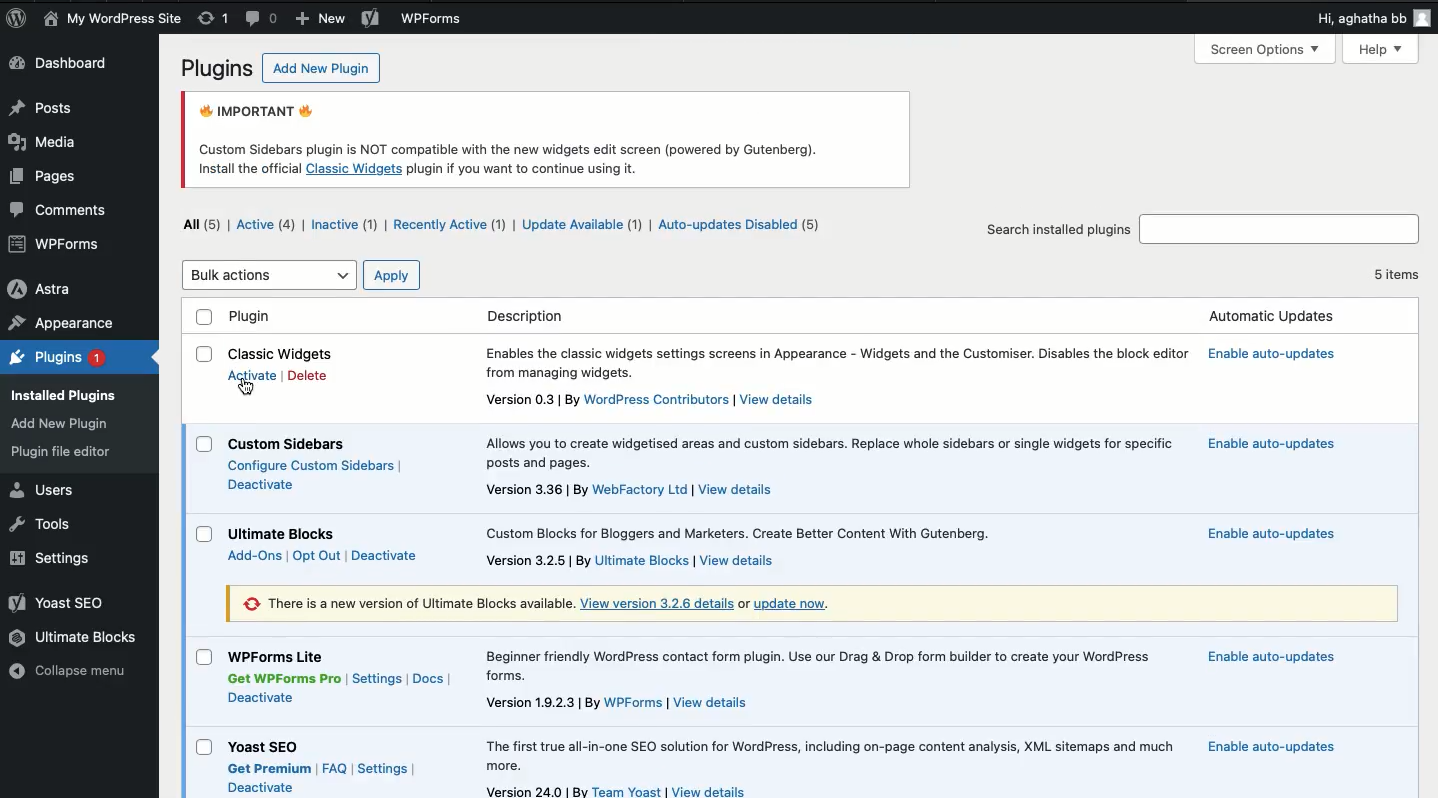 Image resolution: width=1438 pixels, height=798 pixels. Describe the element at coordinates (354, 169) in the screenshot. I see `Classic Widgets` at that location.